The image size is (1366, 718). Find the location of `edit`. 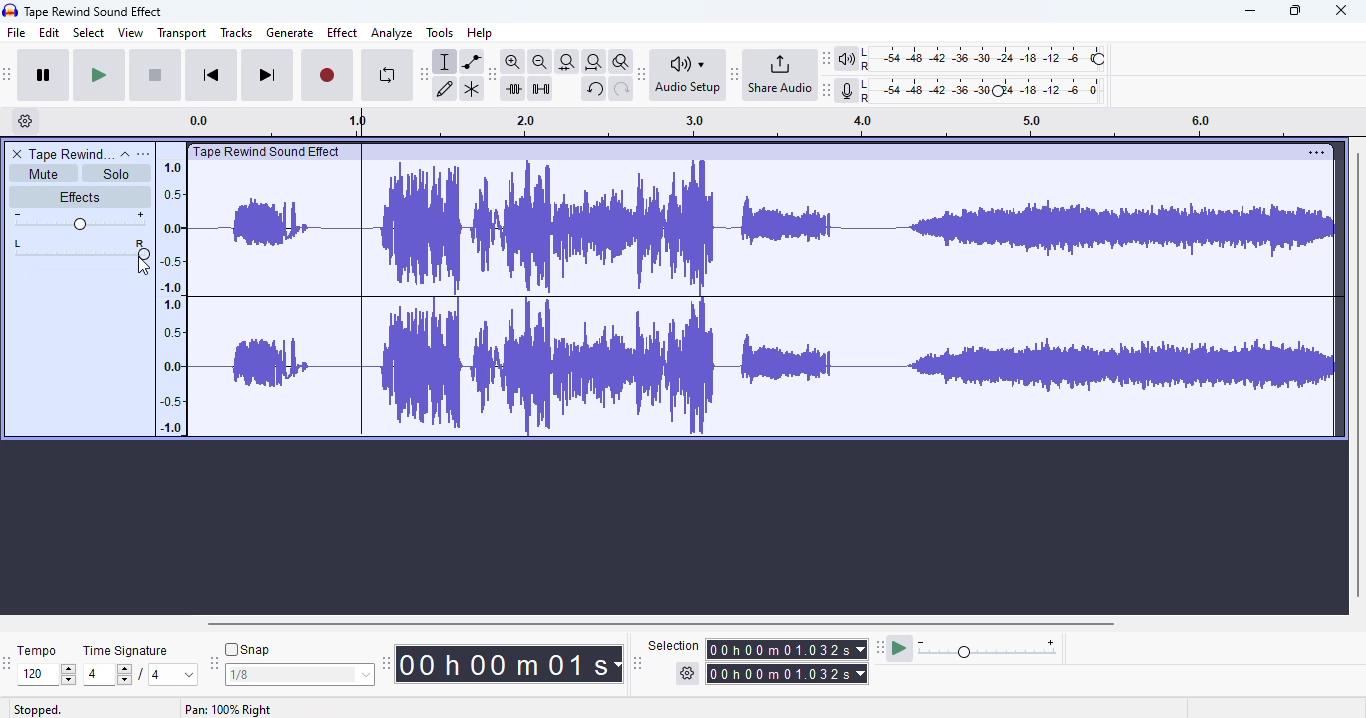

edit is located at coordinates (49, 32).